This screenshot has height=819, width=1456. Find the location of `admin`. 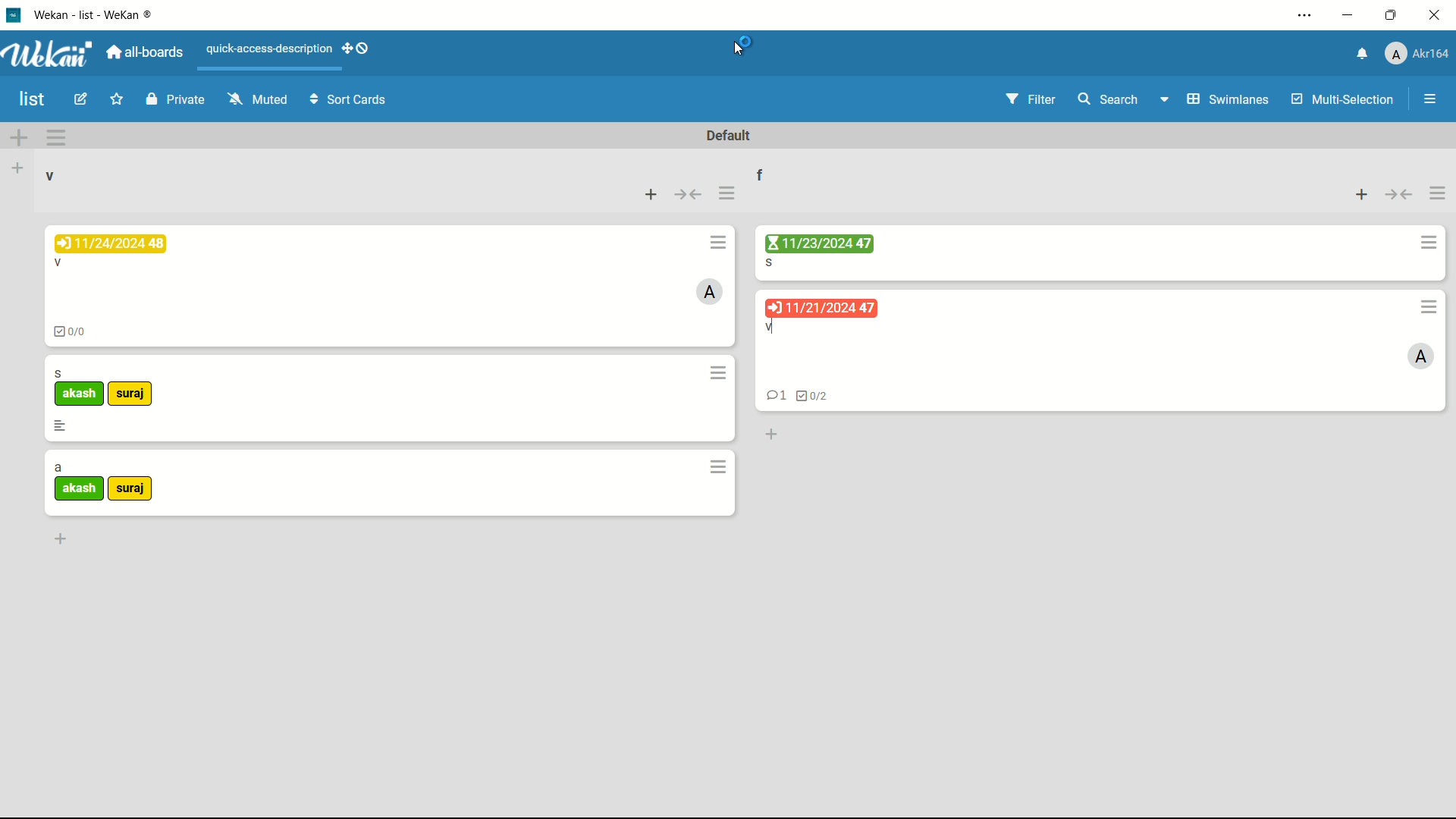

admin is located at coordinates (1422, 357).